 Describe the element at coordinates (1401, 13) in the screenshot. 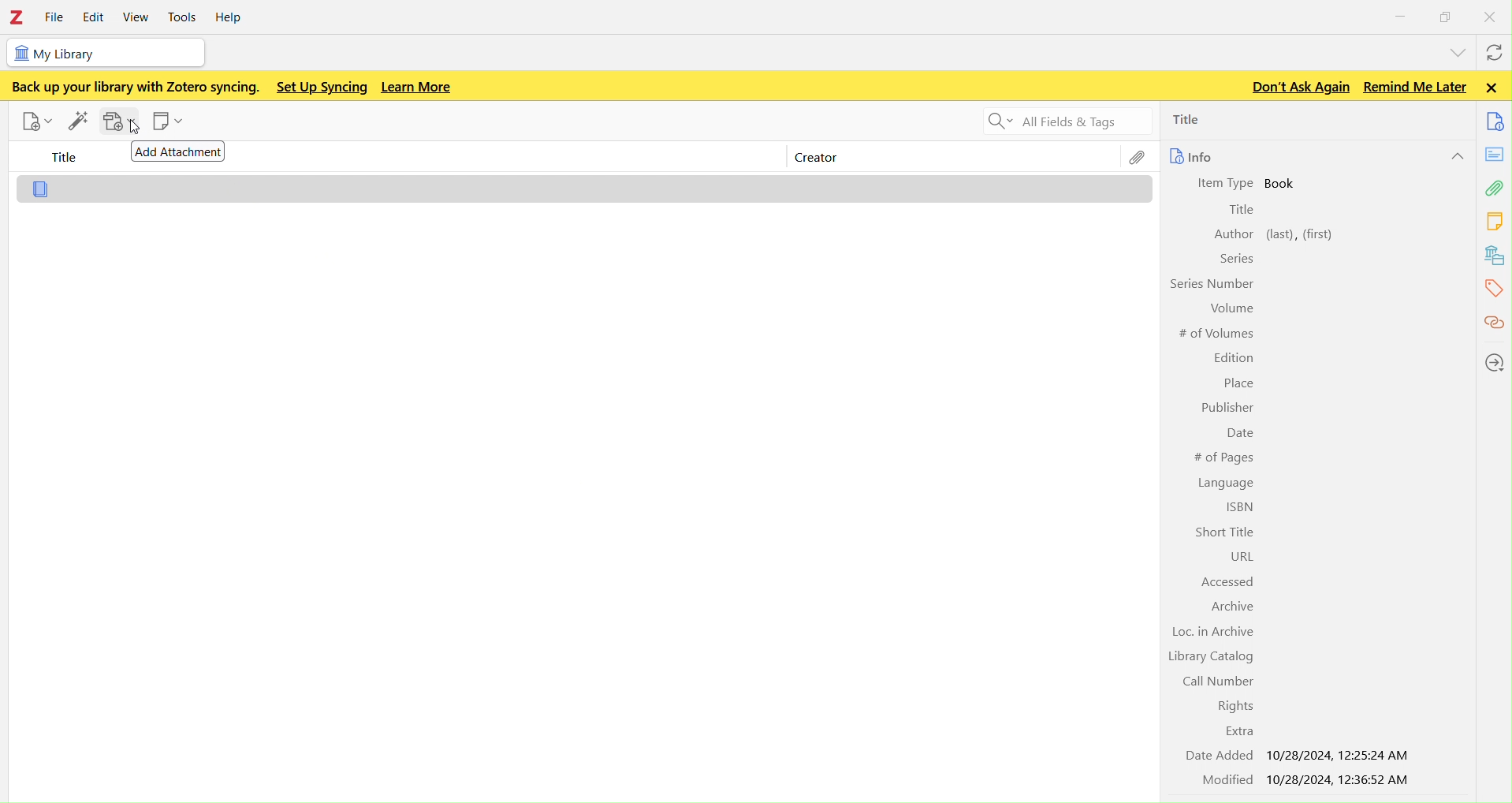

I see `minimize` at that location.